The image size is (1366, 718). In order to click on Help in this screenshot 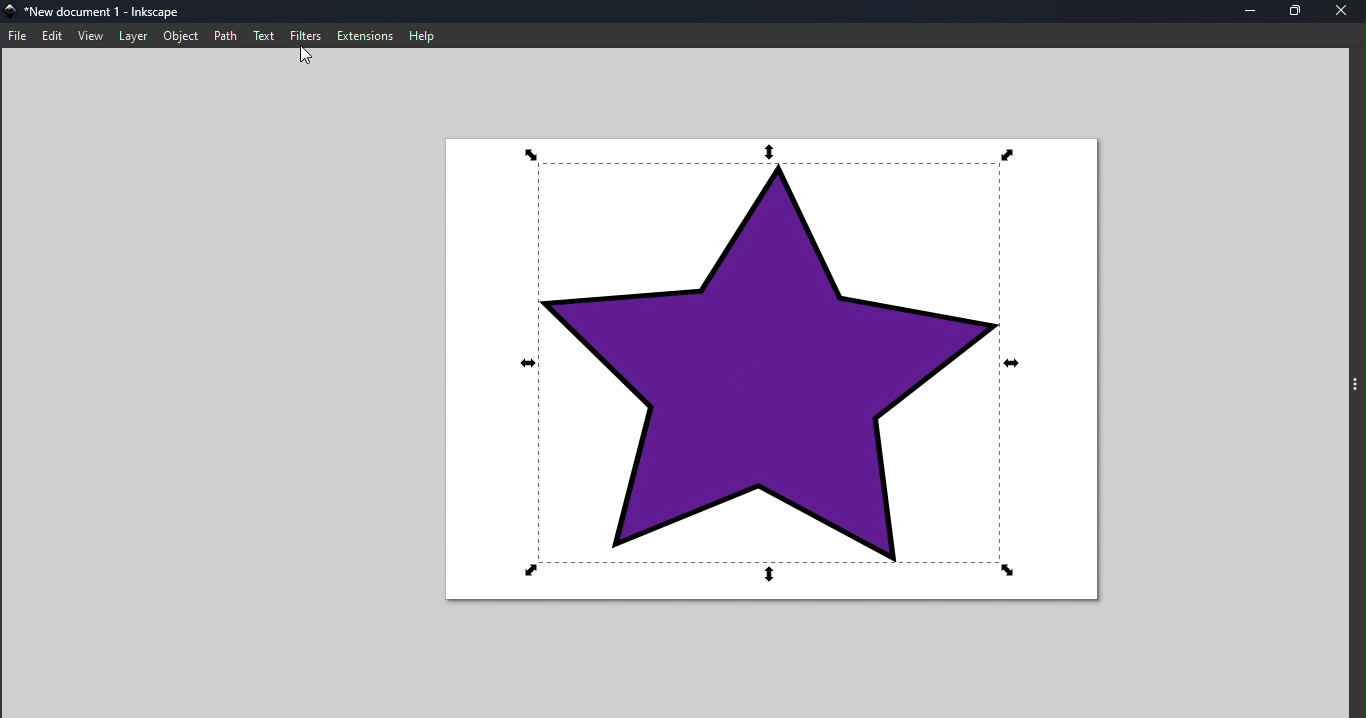, I will do `click(425, 35)`.